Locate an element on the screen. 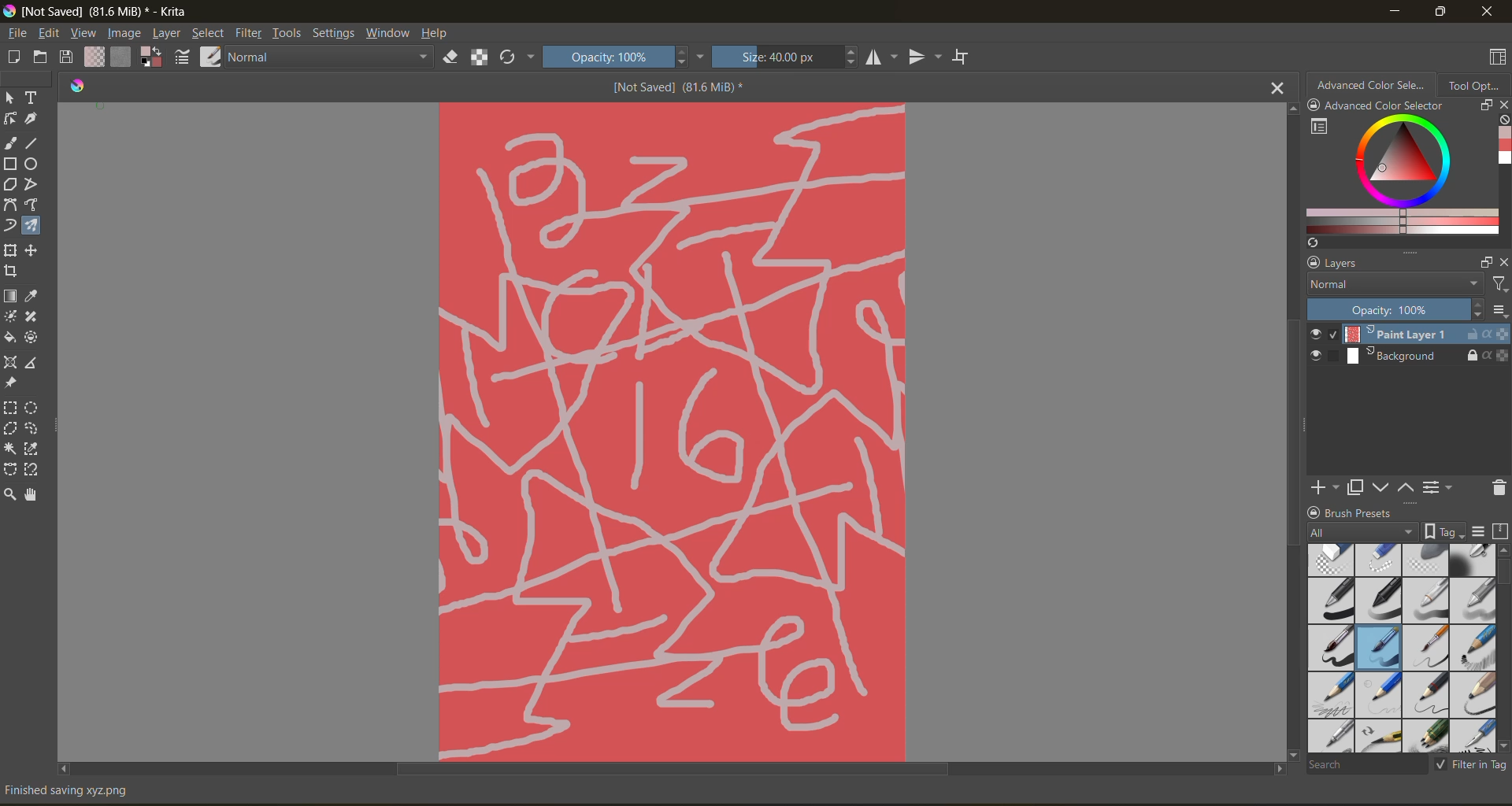 This screenshot has width=1512, height=806. reload original preset is located at coordinates (514, 57).